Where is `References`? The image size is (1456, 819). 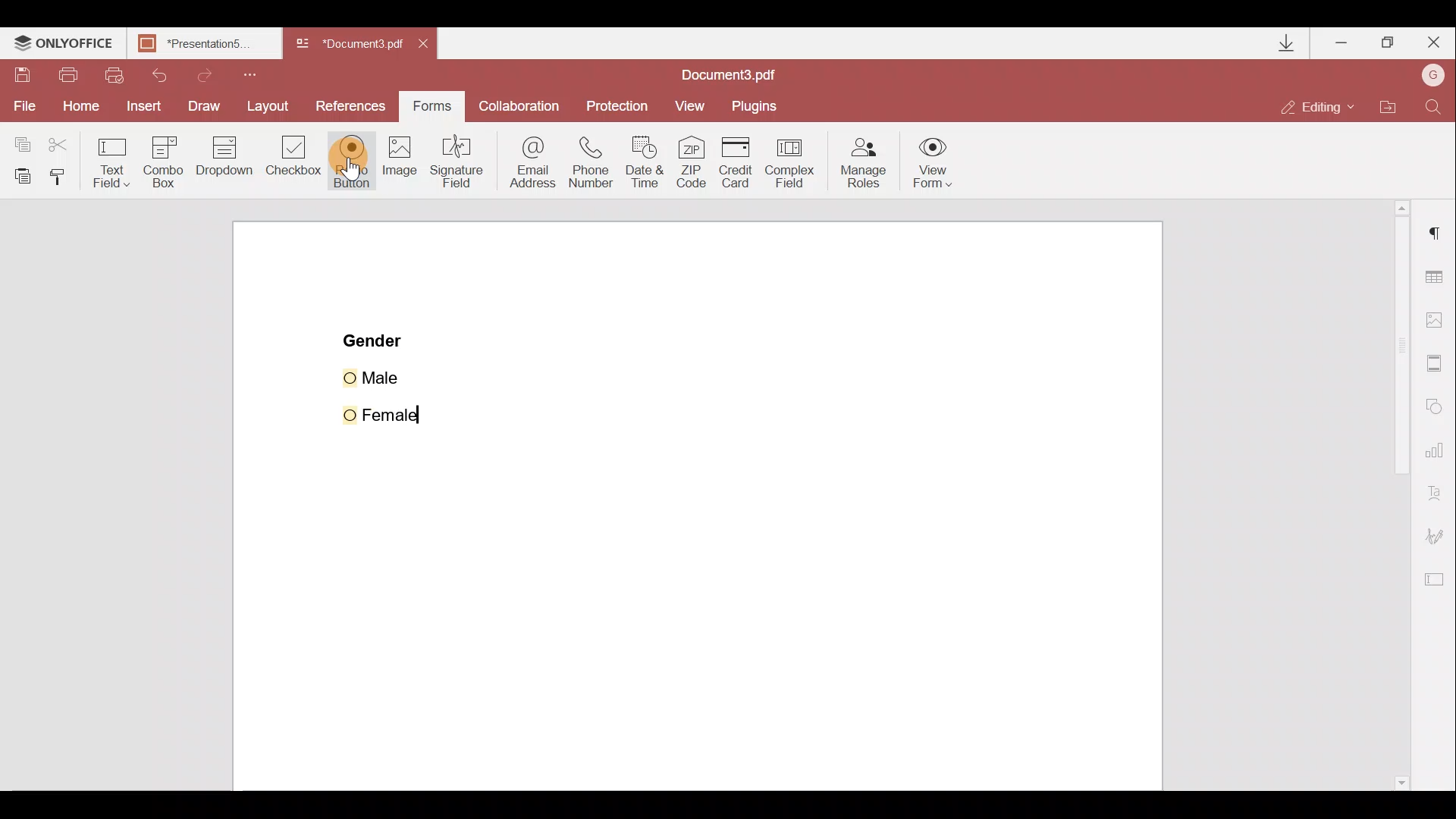 References is located at coordinates (352, 105).